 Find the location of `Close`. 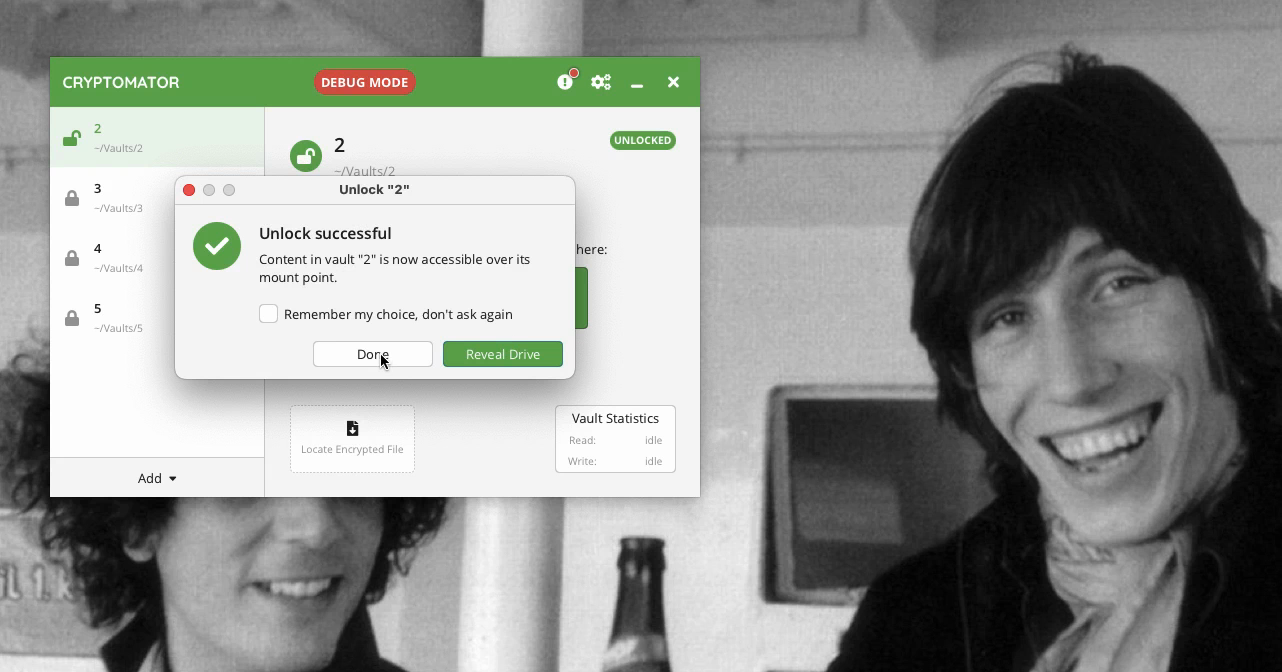

Close is located at coordinates (187, 189).